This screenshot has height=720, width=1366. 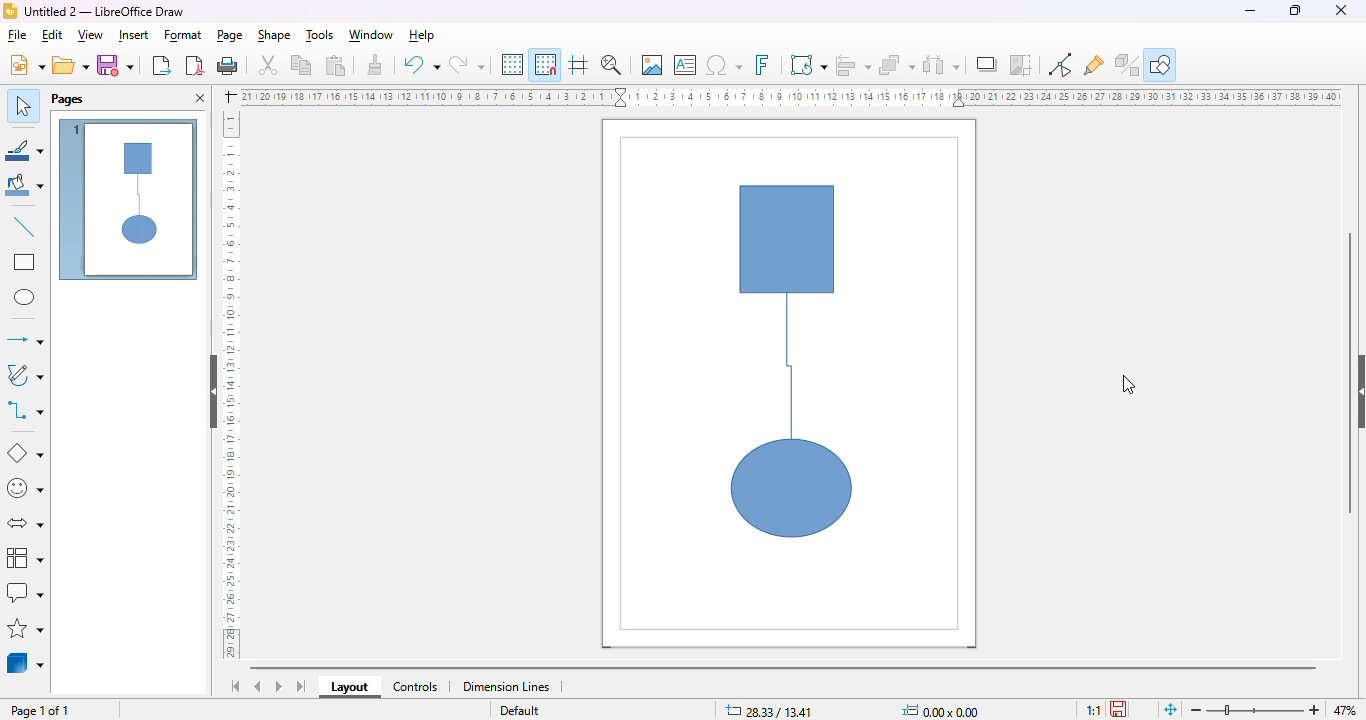 What do you see at coordinates (336, 65) in the screenshot?
I see `paste` at bounding box center [336, 65].